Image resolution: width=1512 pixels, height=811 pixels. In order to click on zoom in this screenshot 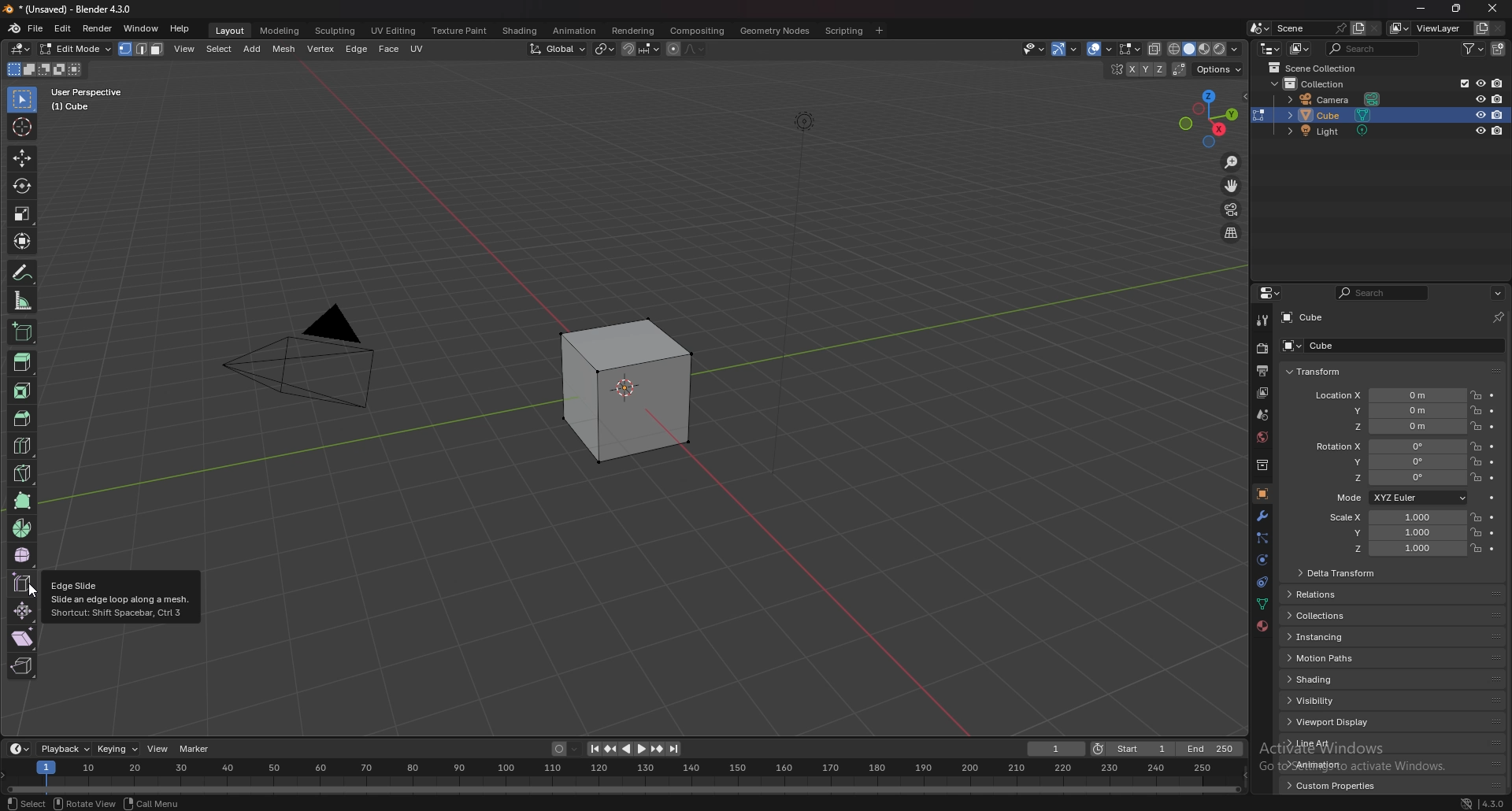, I will do `click(1232, 163)`.